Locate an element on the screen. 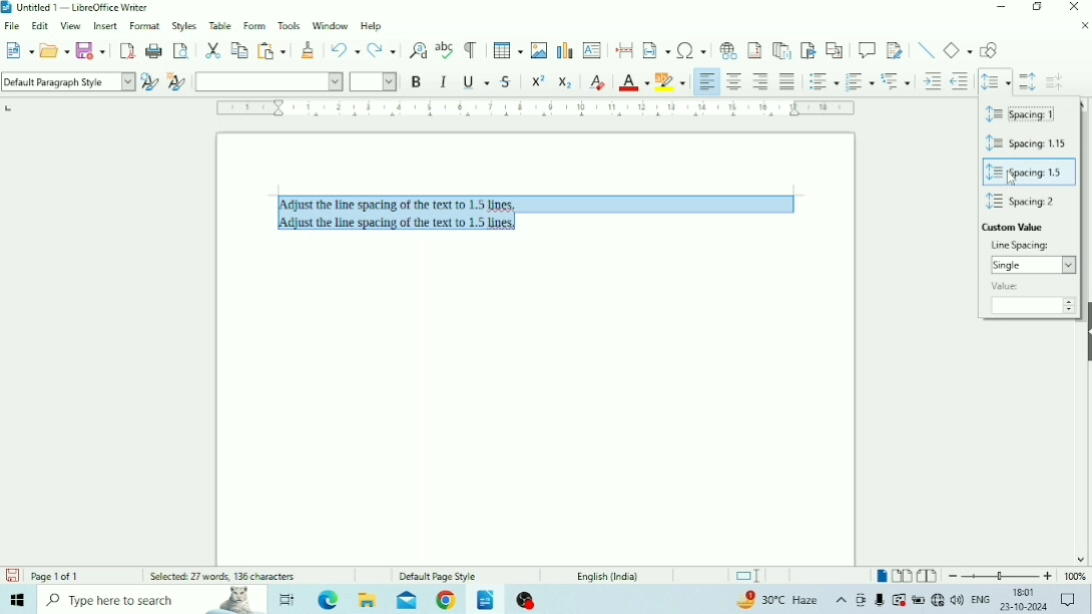 This screenshot has width=1092, height=614. Insert Field is located at coordinates (656, 49).